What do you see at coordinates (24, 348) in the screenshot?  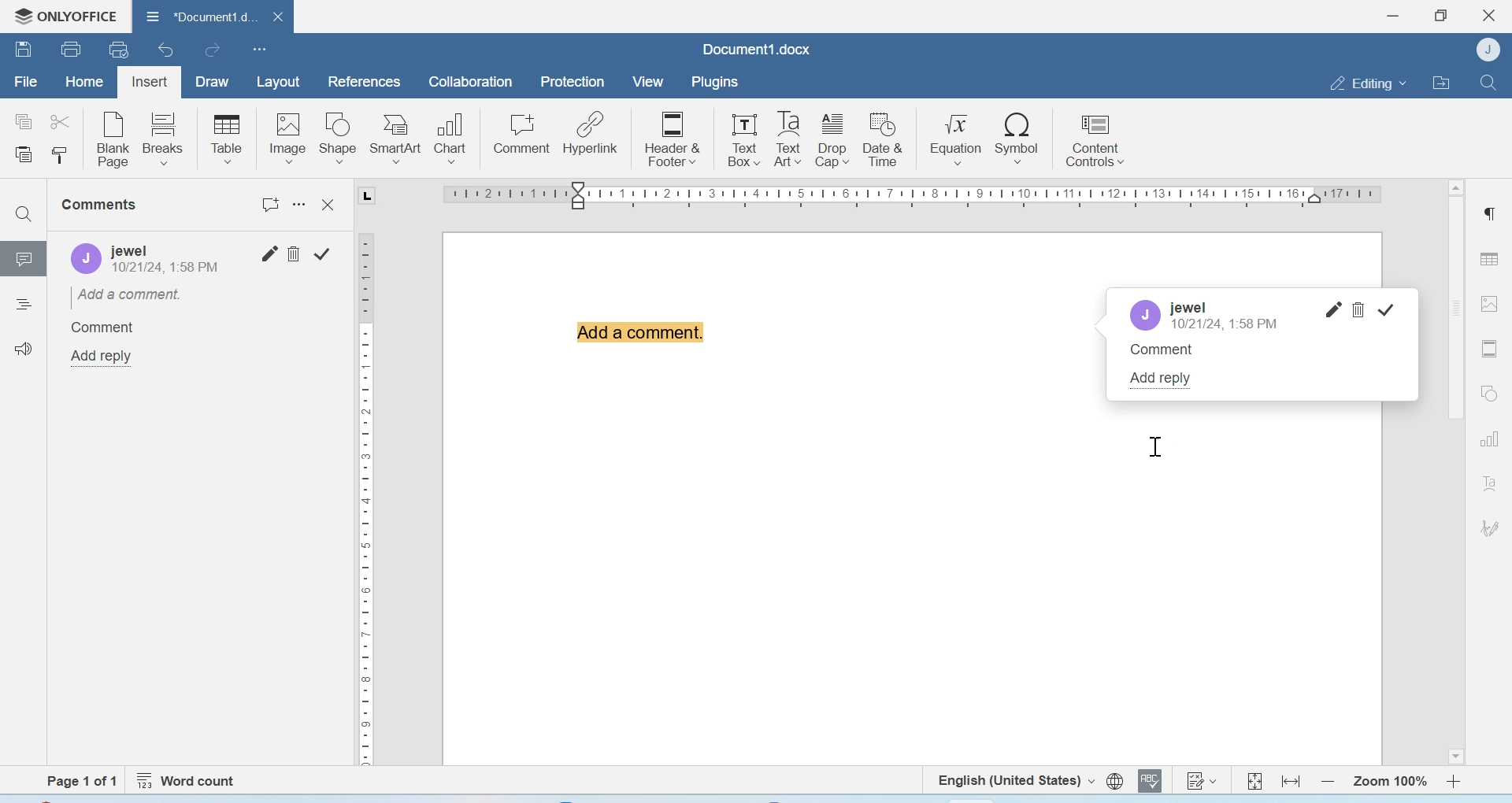 I see `Feedback & Support` at bounding box center [24, 348].